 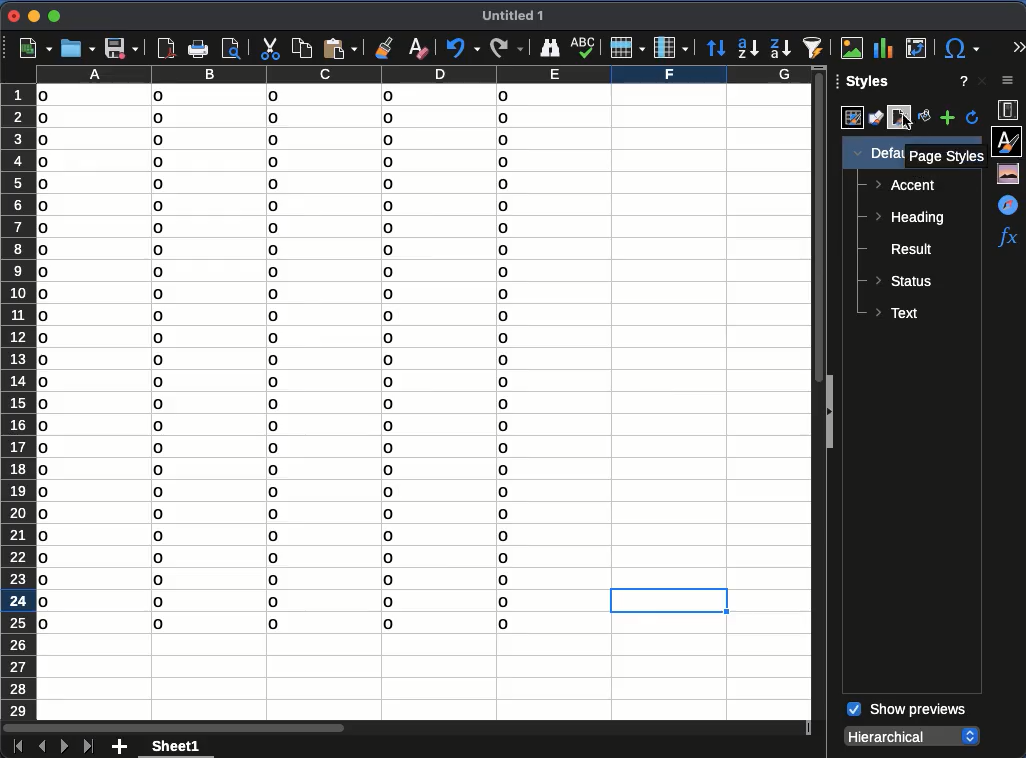 What do you see at coordinates (914, 219) in the screenshot?
I see `heading` at bounding box center [914, 219].